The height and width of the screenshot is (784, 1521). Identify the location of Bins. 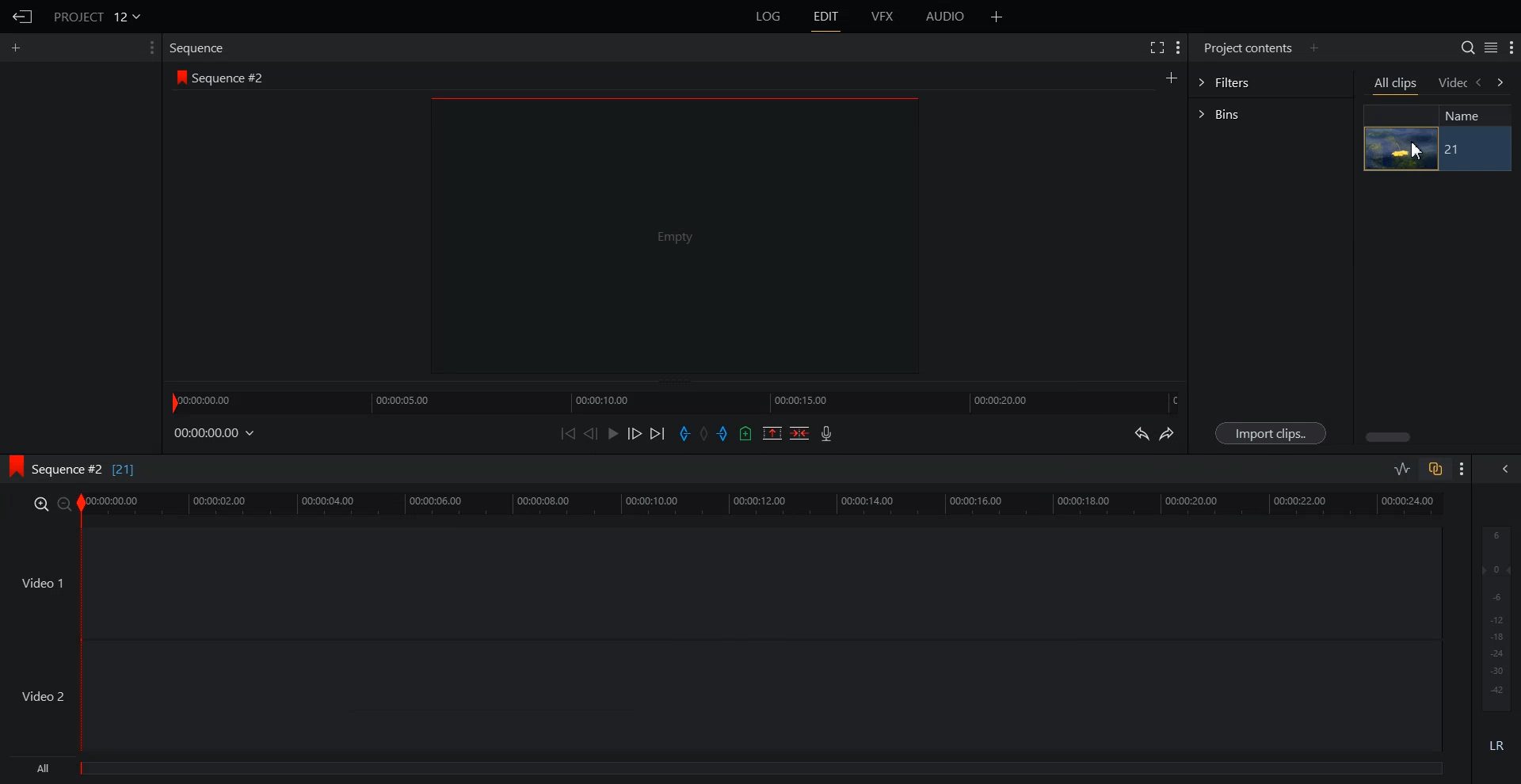
(1271, 112).